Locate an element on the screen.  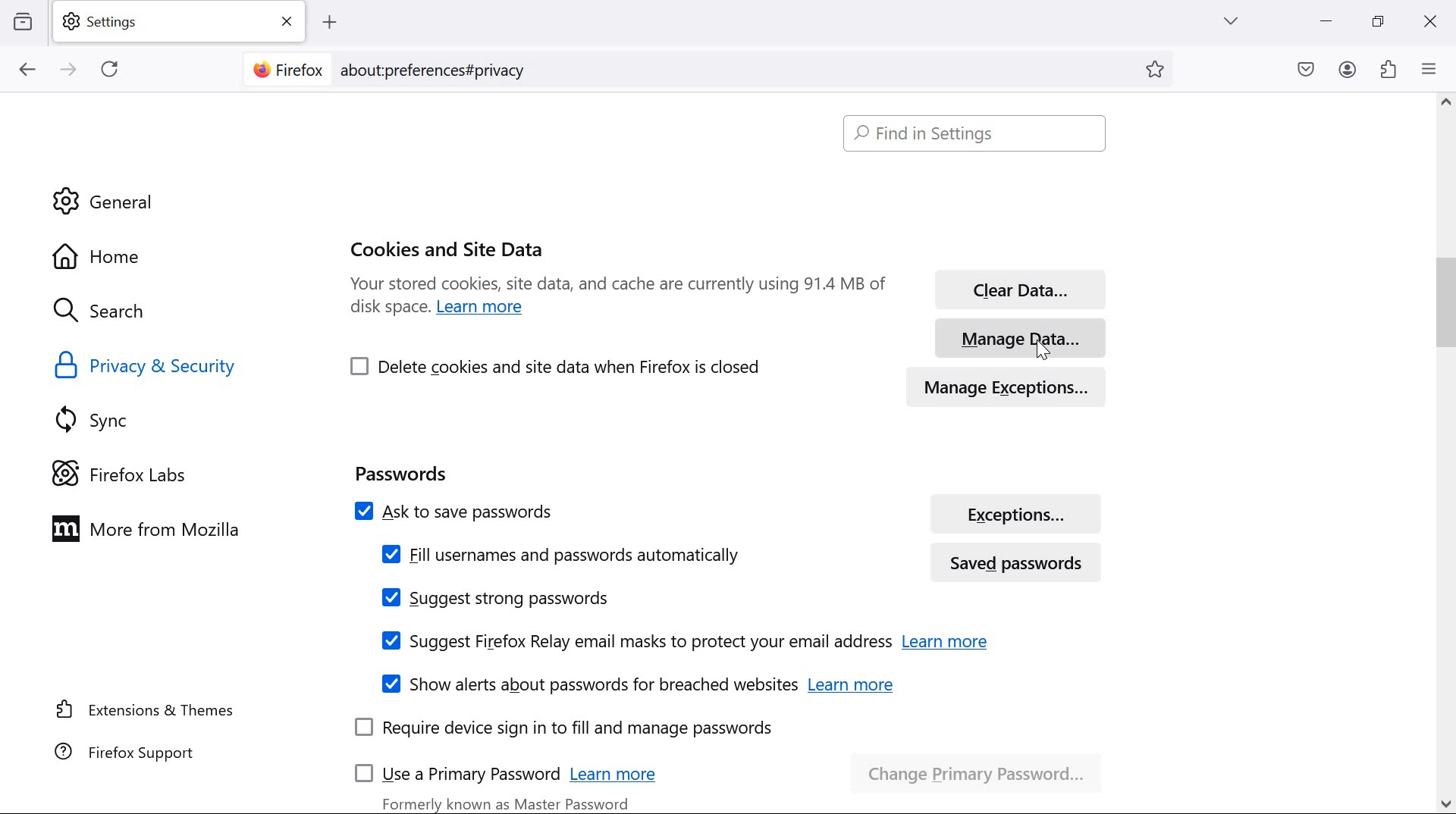
close is located at coordinates (1429, 23).